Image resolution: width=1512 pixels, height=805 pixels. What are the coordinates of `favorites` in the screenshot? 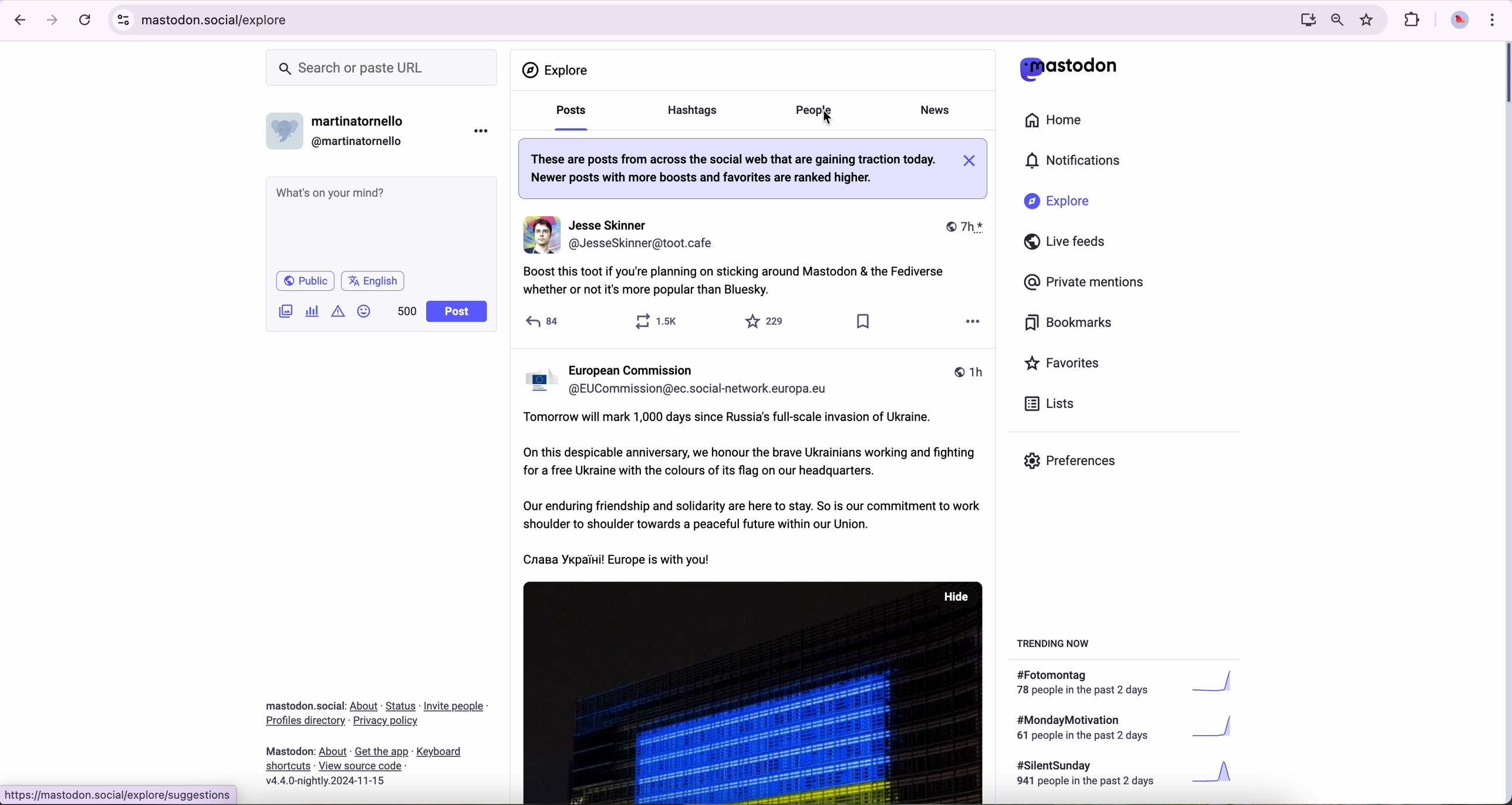 It's located at (768, 322).